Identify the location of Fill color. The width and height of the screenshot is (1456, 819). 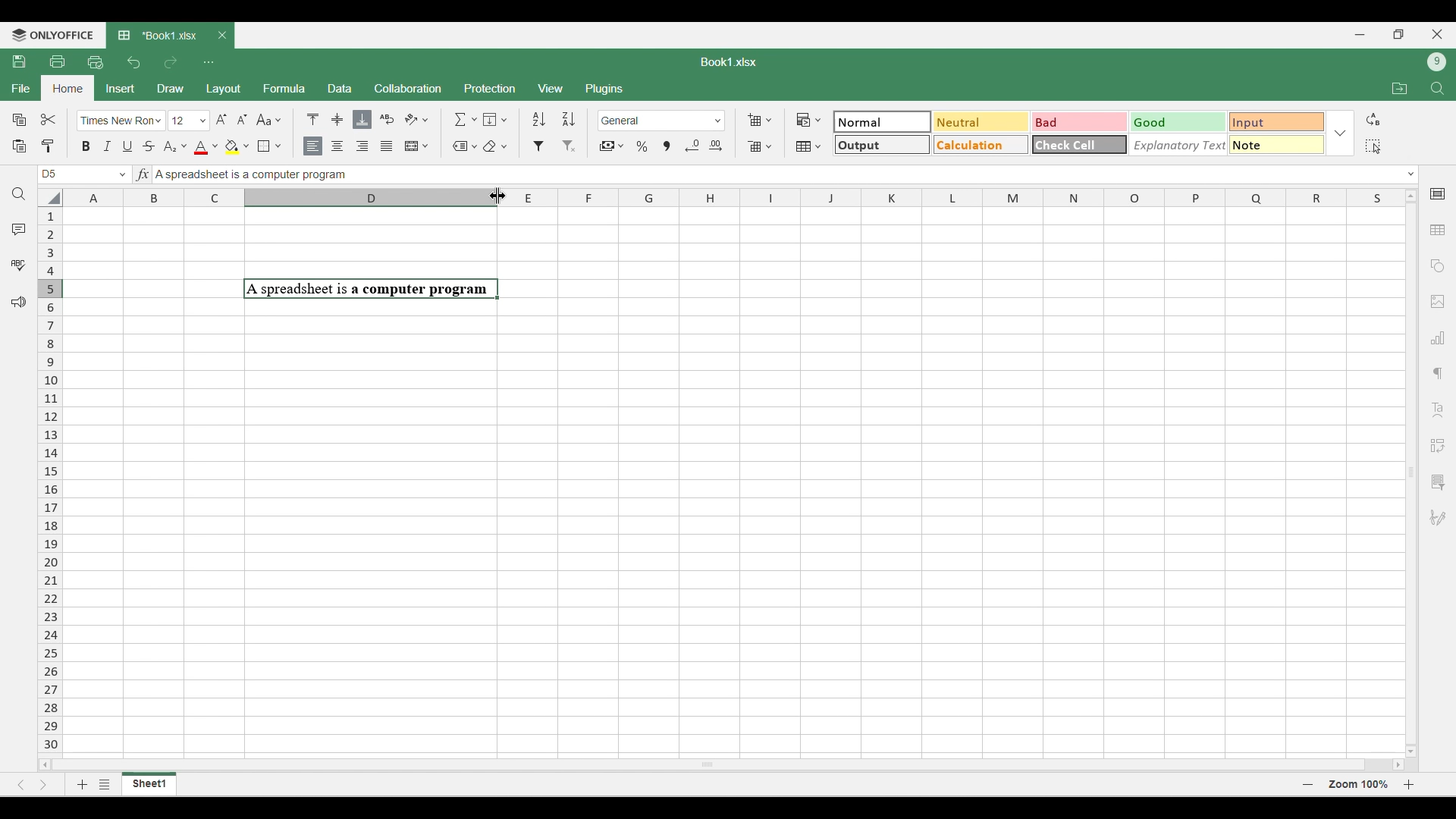
(237, 147).